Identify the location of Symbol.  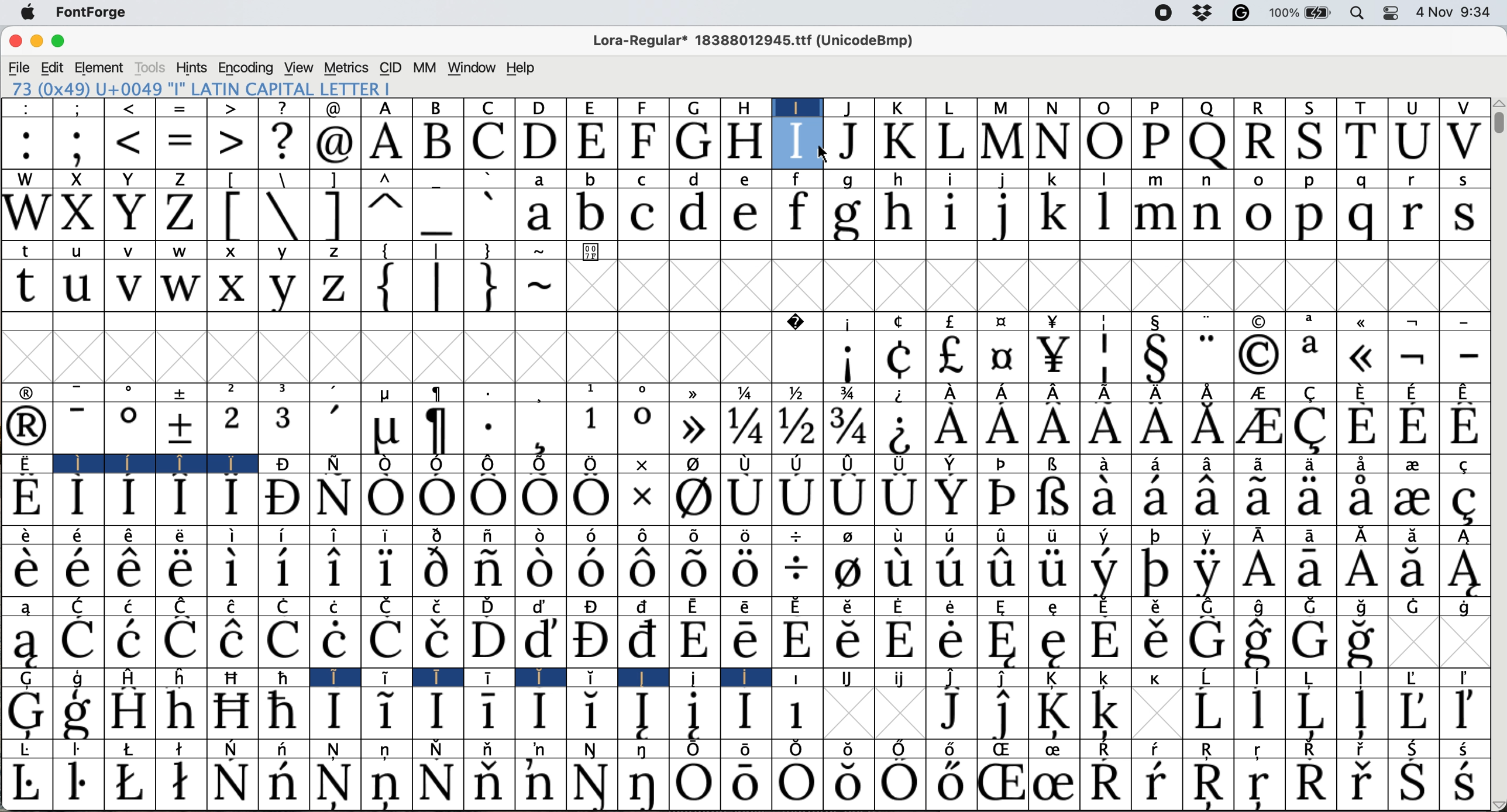
(849, 677).